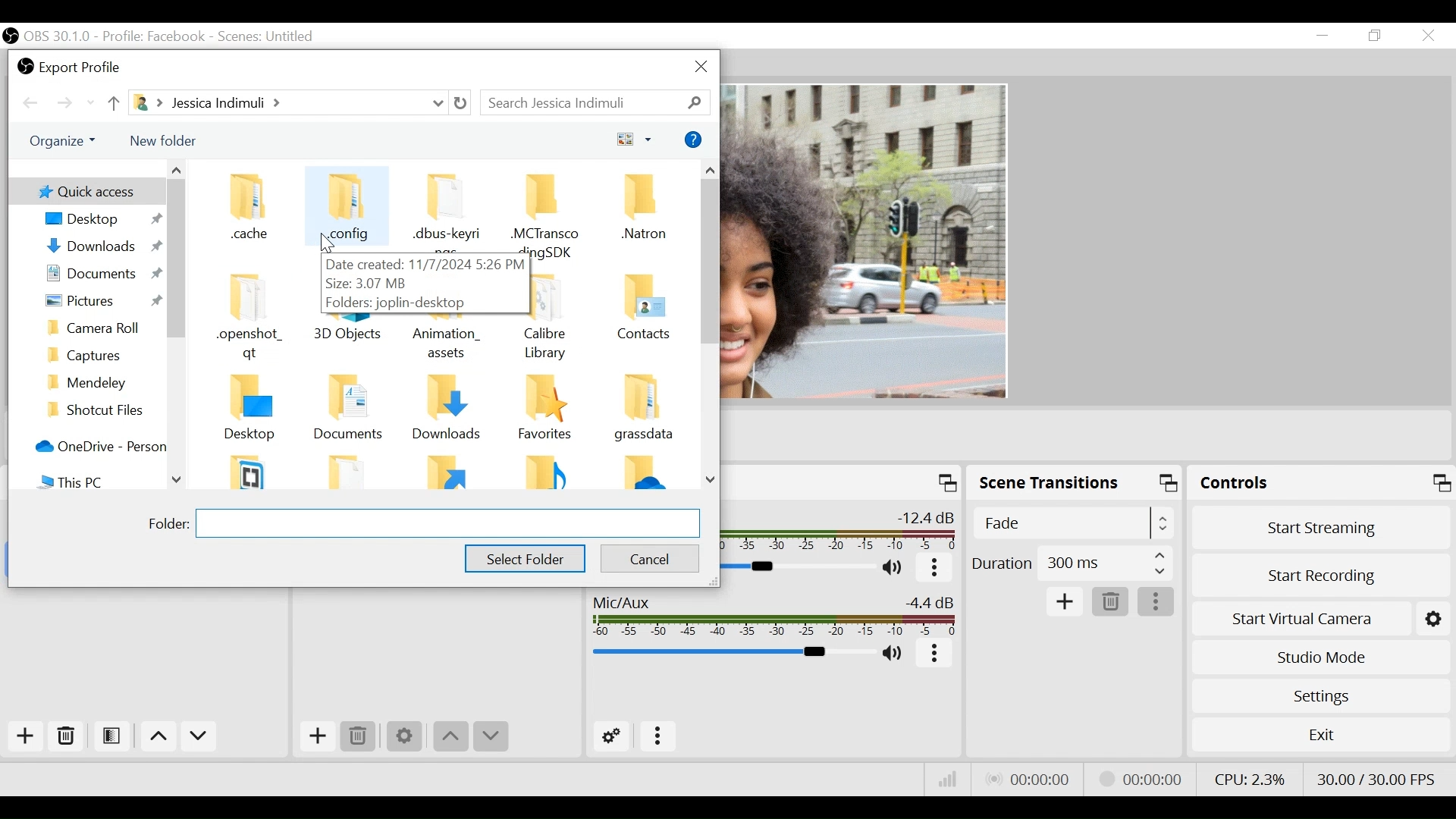  Describe the element at coordinates (1075, 482) in the screenshot. I see `Scene Transition` at that location.